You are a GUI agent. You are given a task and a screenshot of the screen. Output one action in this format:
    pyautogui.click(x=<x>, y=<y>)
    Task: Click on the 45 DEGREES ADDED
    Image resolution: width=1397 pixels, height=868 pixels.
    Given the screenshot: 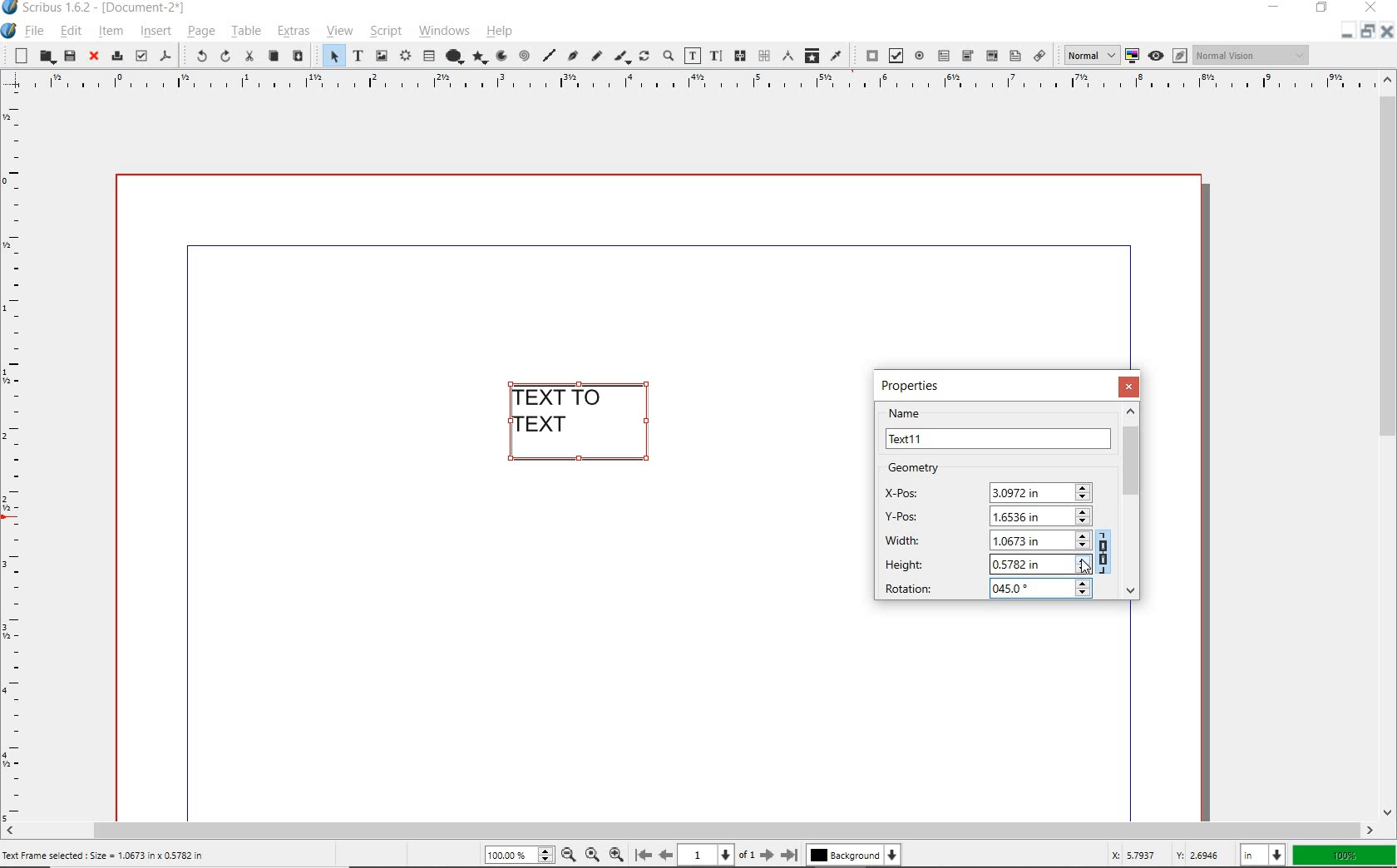 What is the action you would take?
    pyautogui.click(x=1015, y=589)
    